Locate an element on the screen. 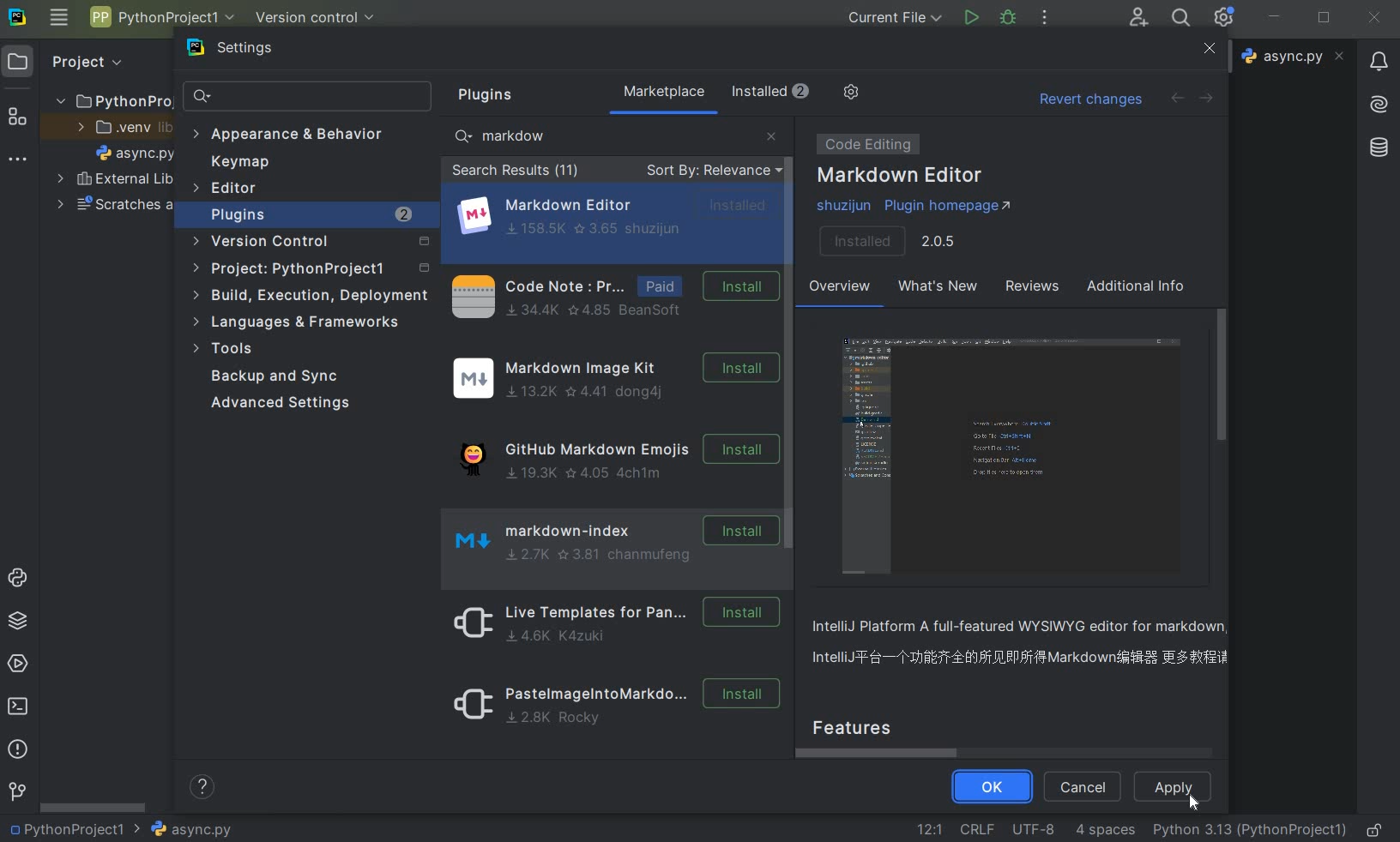  run is located at coordinates (970, 17).